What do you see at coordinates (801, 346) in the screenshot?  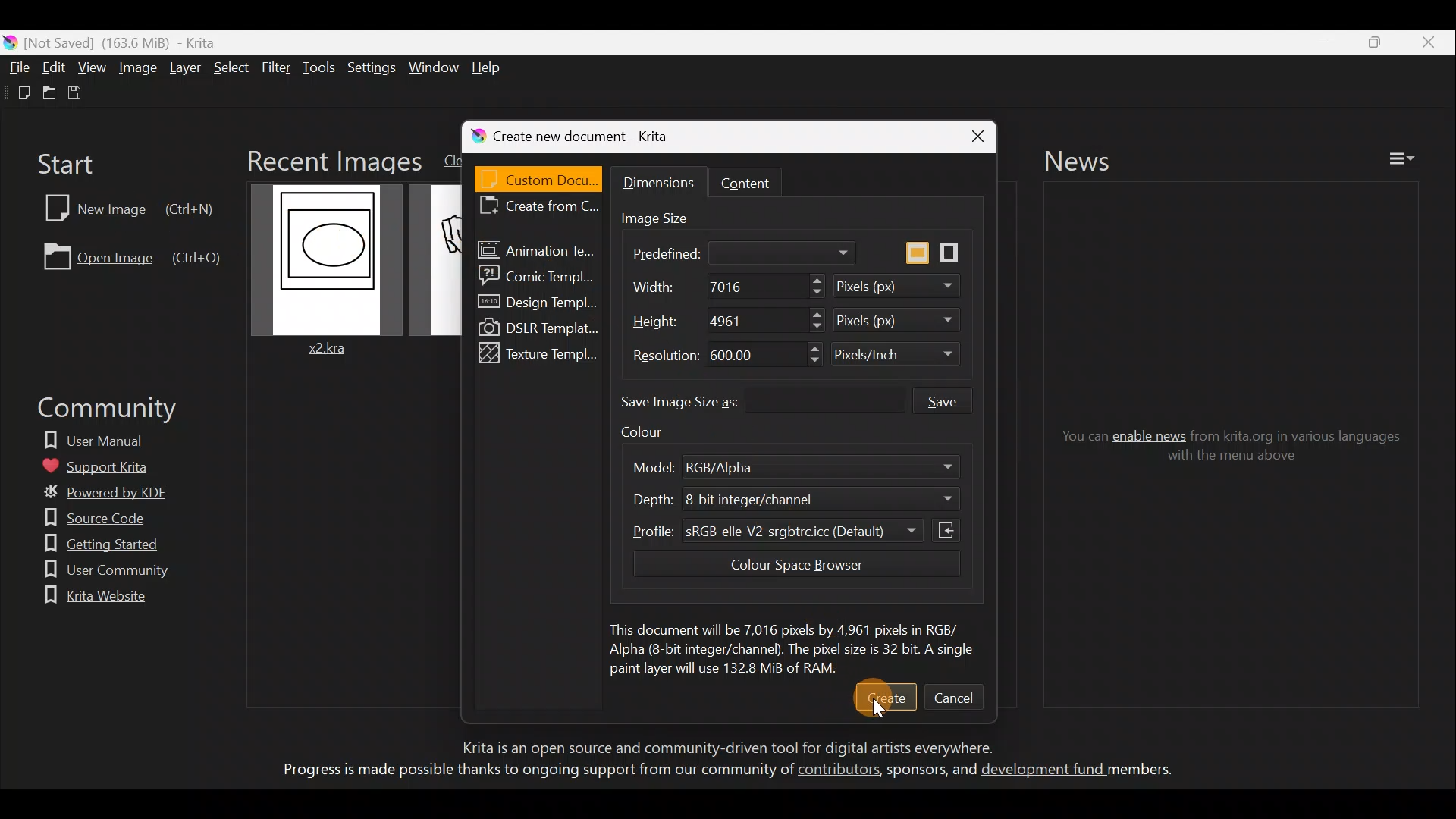 I see `Increase resolution` at bounding box center [801, 346].